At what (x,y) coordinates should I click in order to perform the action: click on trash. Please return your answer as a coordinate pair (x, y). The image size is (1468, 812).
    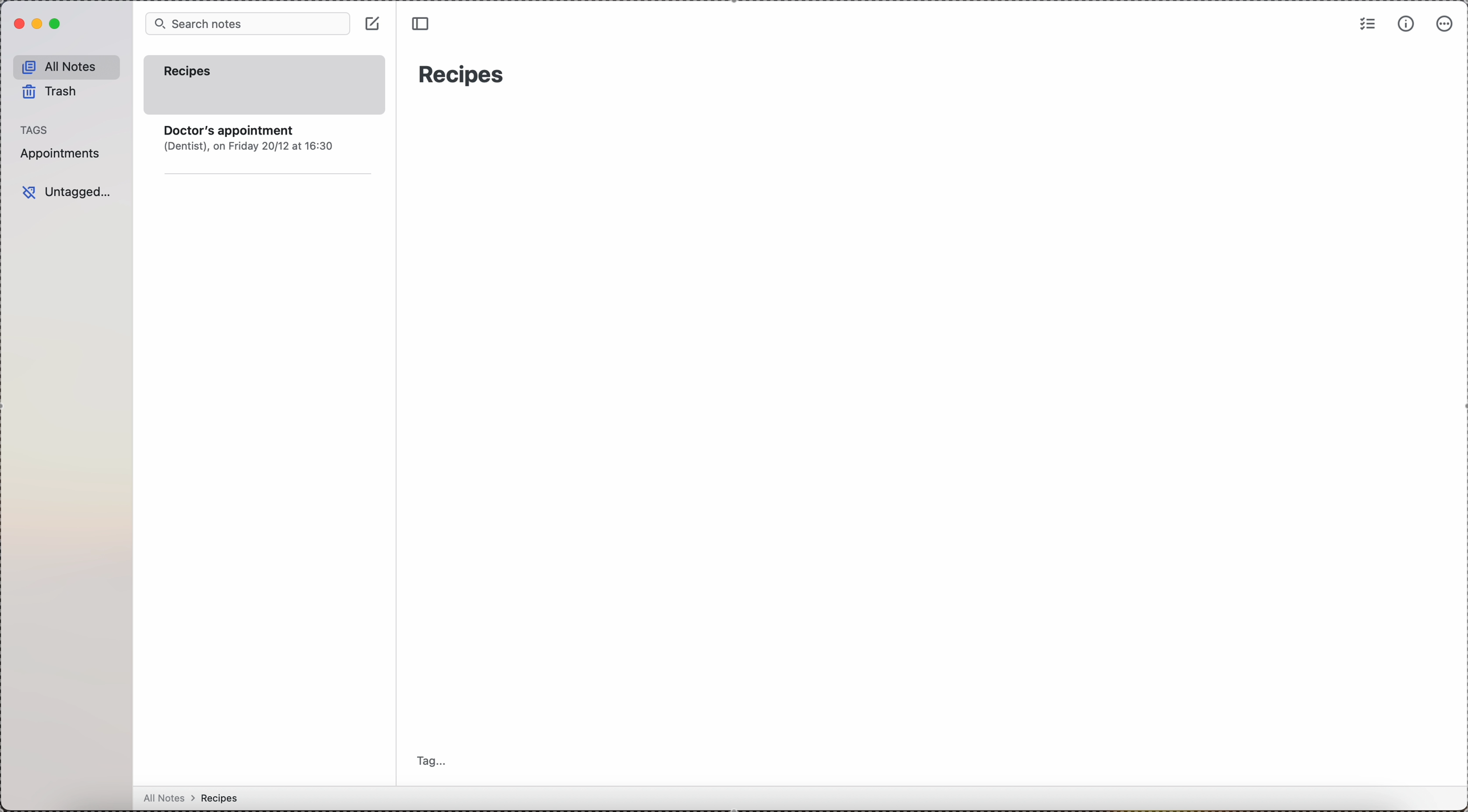
    Looking at the image, I should click on (56, 91).